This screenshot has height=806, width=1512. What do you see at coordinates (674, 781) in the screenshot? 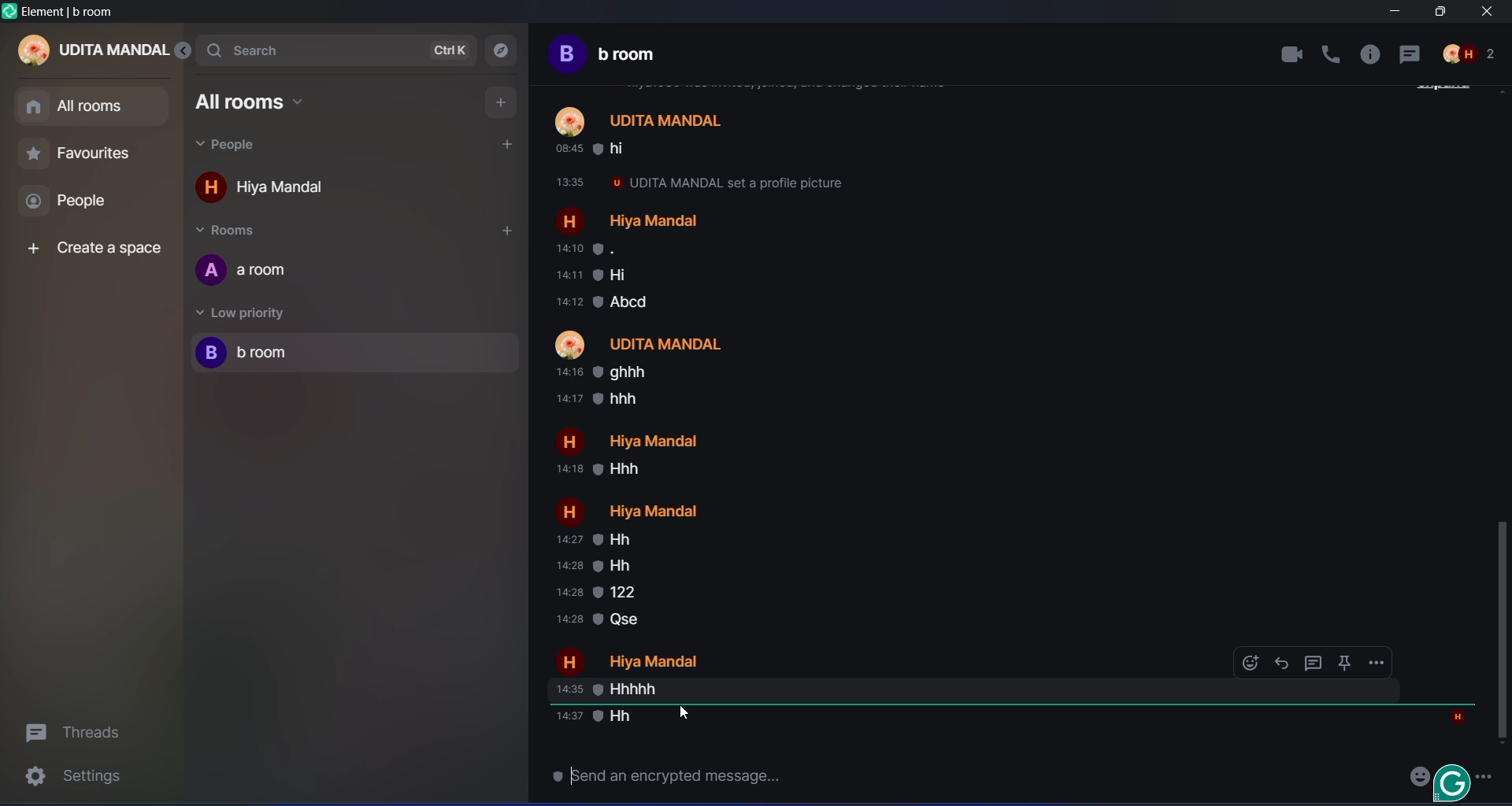
I see `send a encrypted message` at bounding box center [674, 781].